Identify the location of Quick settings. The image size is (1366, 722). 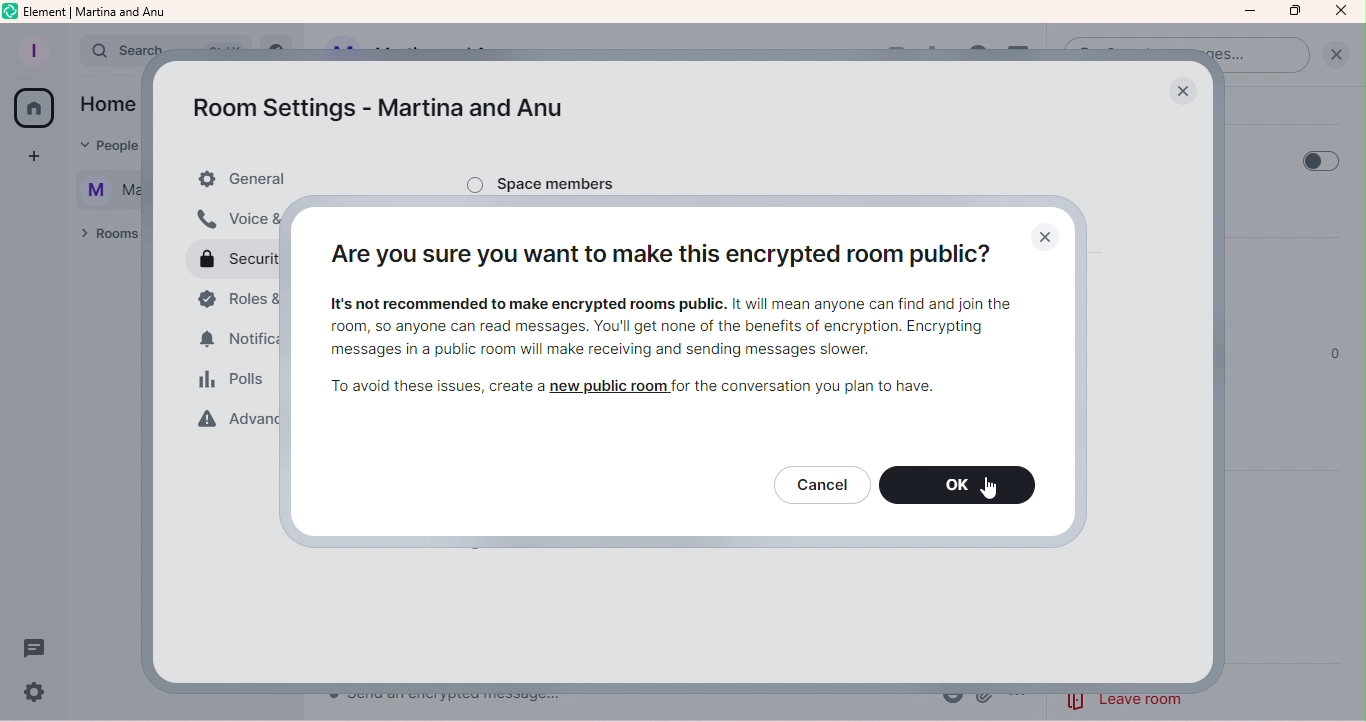
(34, 695).